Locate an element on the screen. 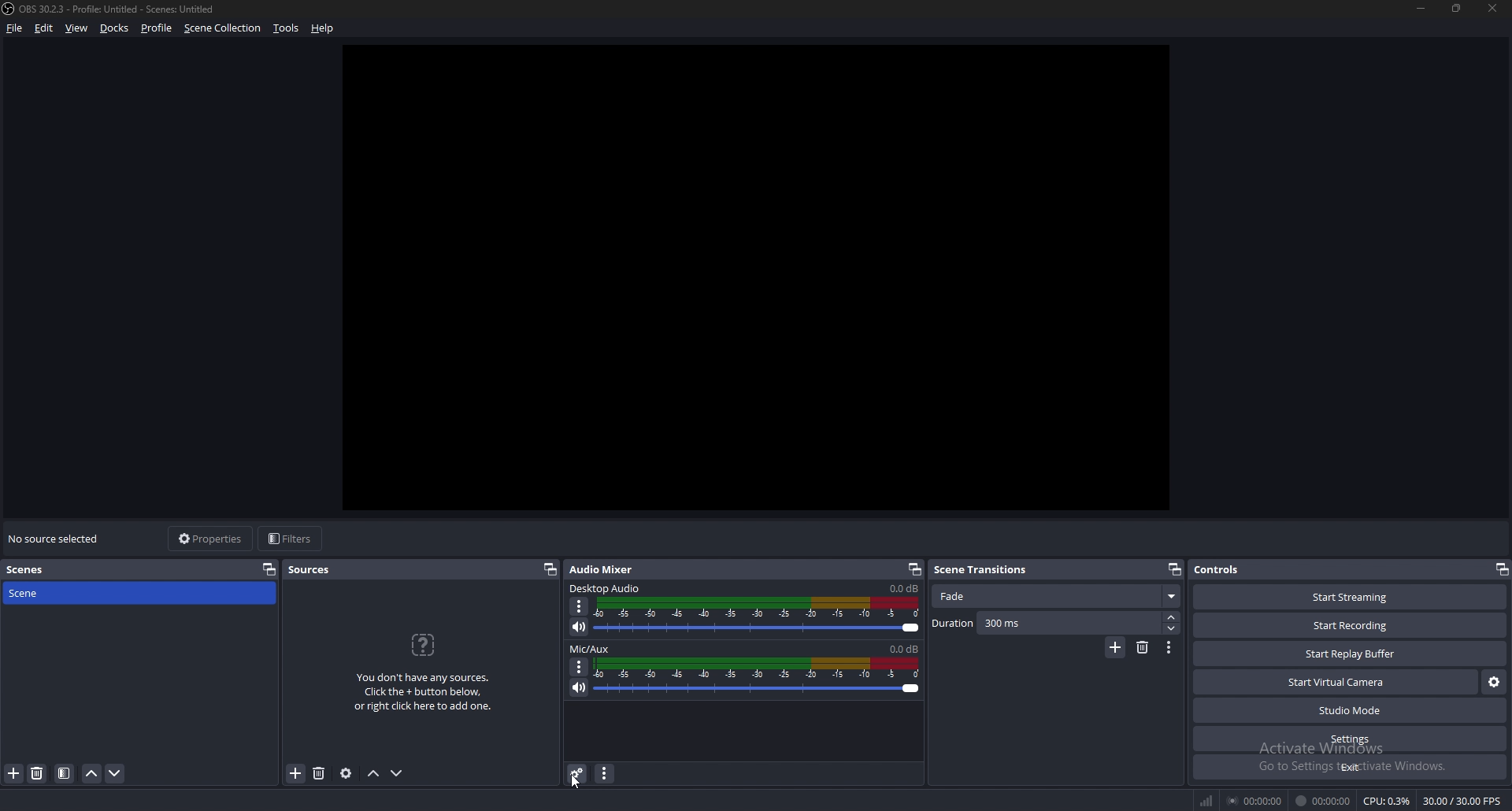  pop out is located at coordinates (1502, 570).